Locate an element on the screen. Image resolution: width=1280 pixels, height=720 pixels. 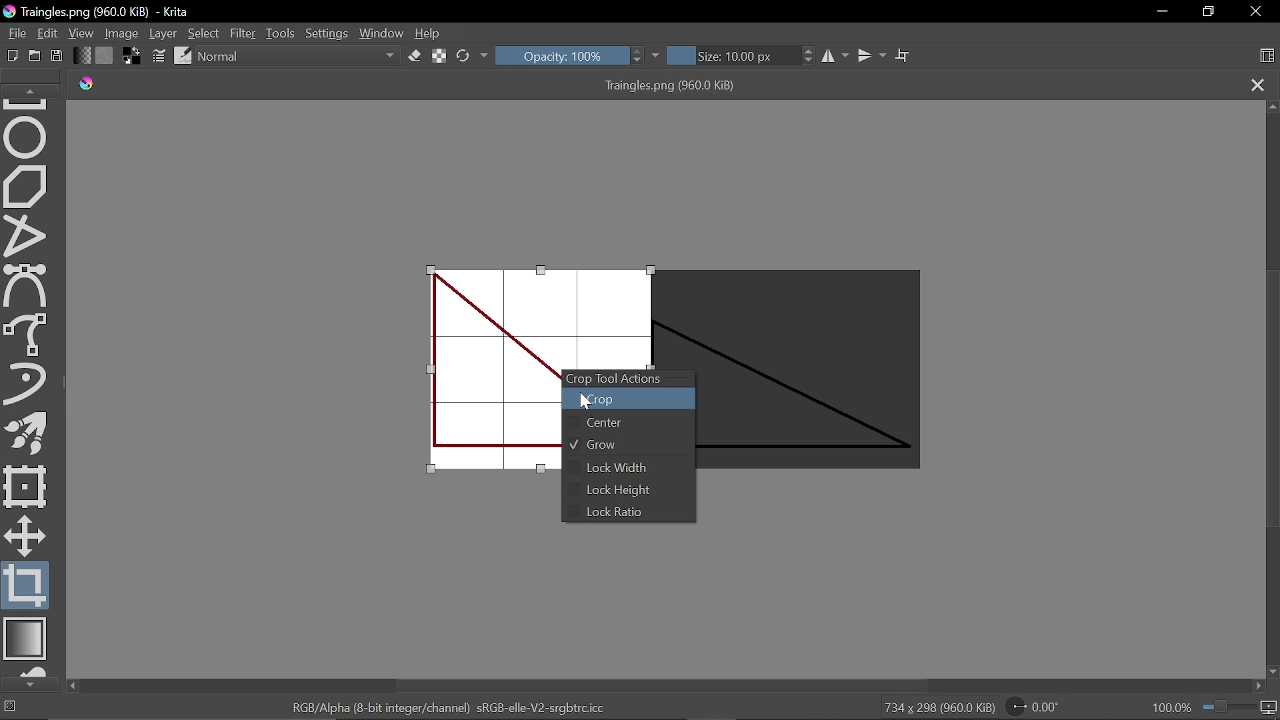
Minimize is located at coordinates (1162, 13).